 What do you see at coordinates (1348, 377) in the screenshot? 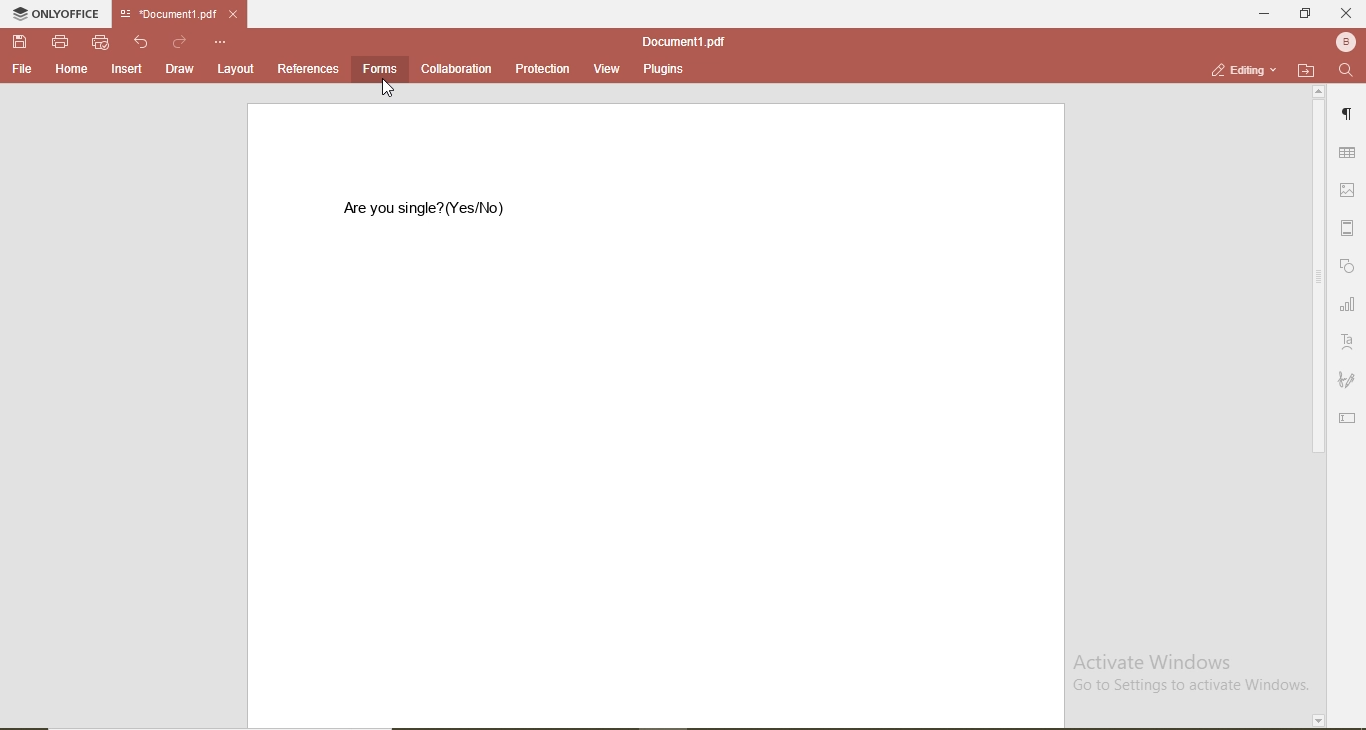
I see `signature` at bounding box center [1348, 377].